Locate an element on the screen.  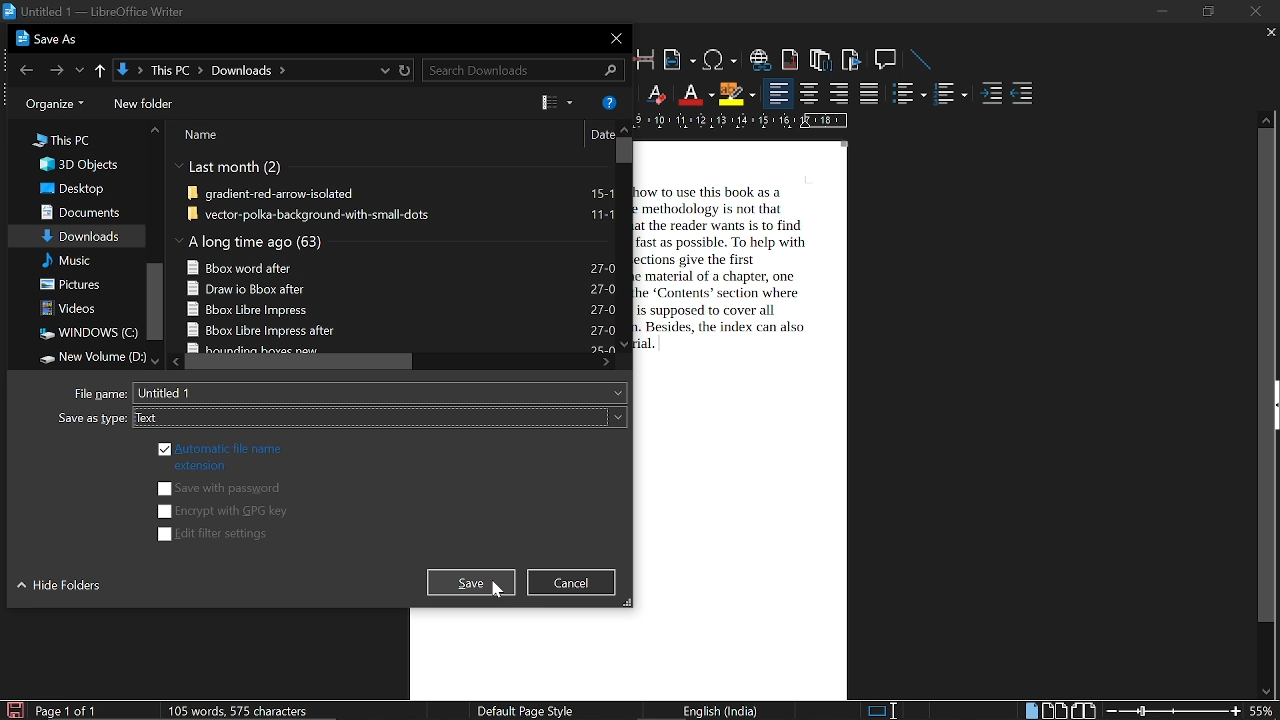
eraser is located at coordinates (654, 93).